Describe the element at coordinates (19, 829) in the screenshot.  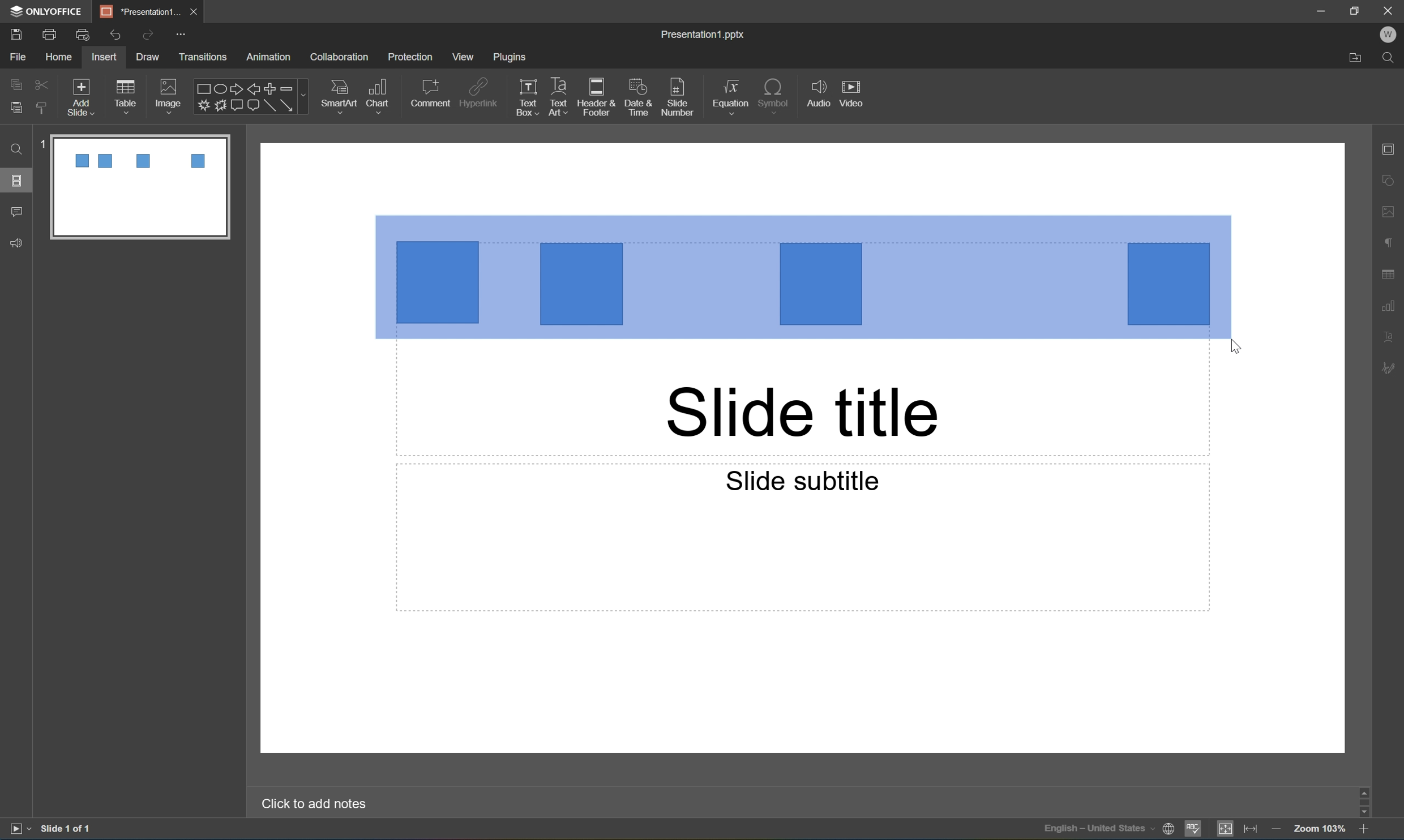
I see `start slideshow` at that location.